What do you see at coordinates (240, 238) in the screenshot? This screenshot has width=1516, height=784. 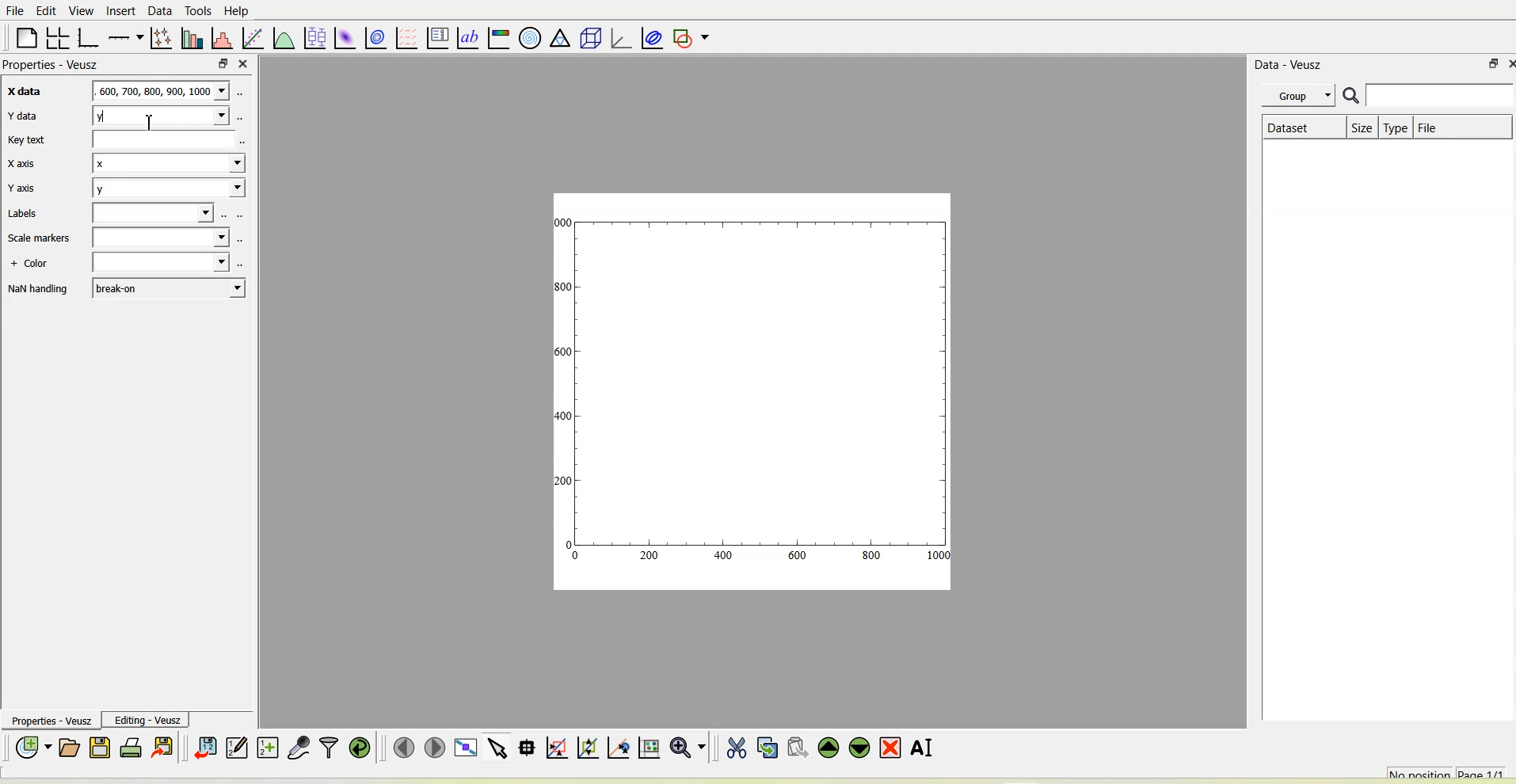 I see `select using dataset browser` at bounding box center [240, 238].